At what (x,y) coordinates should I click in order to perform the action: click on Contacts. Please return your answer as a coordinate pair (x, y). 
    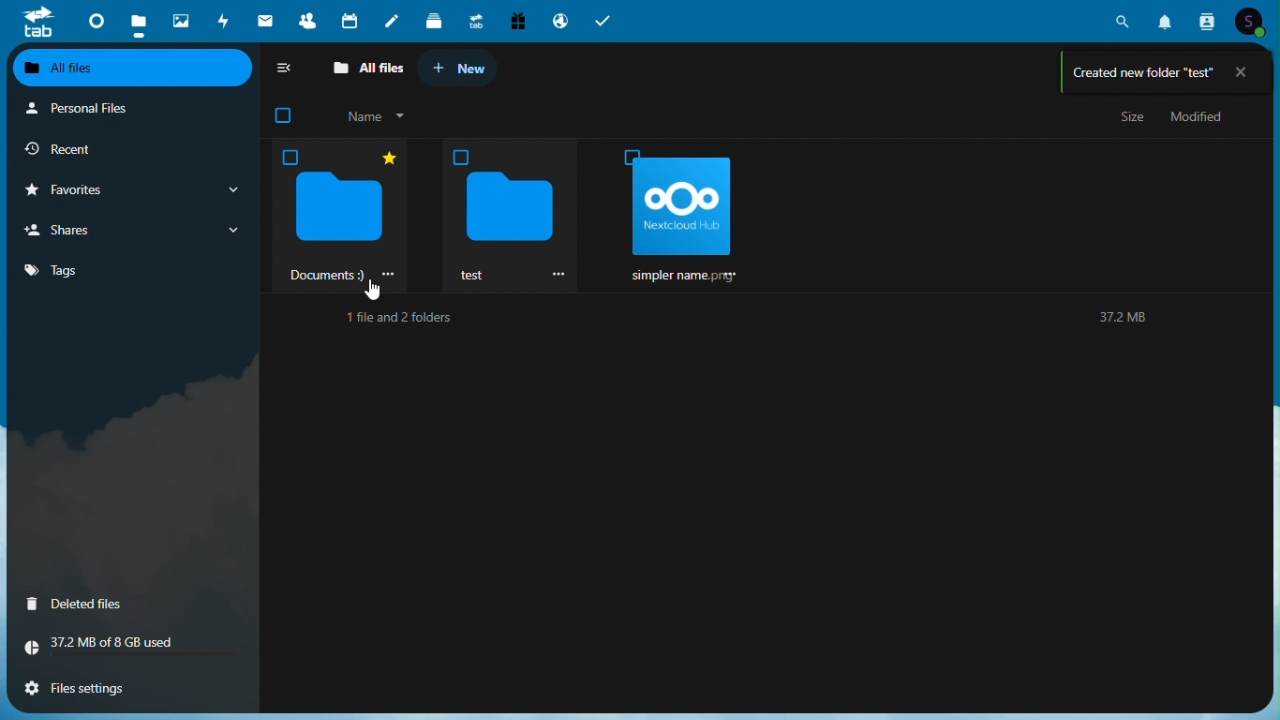
    Looking at the image, I should click on (1208, 19).